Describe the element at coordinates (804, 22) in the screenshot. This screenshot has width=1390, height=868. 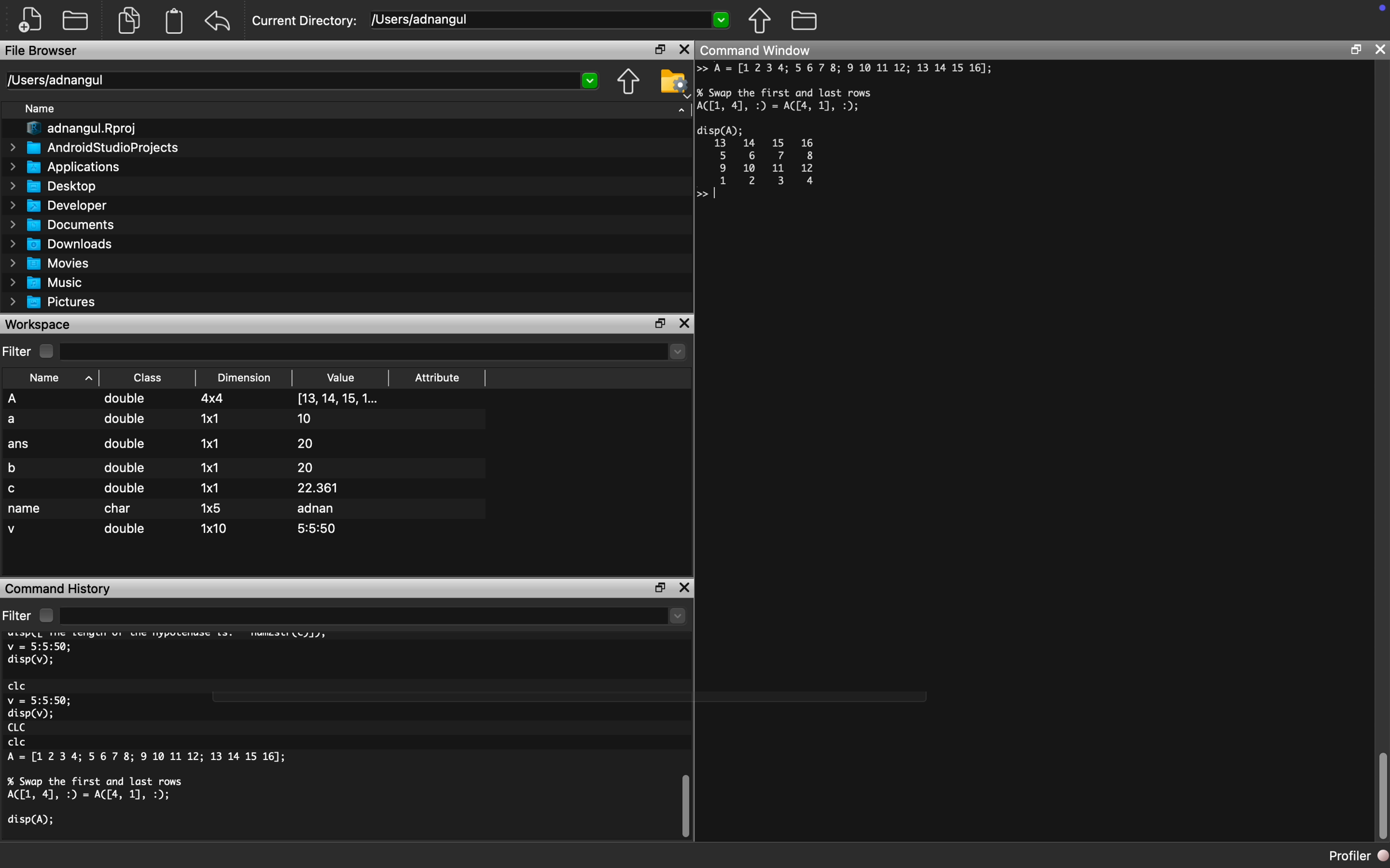
I see `Browse your files` at that location.